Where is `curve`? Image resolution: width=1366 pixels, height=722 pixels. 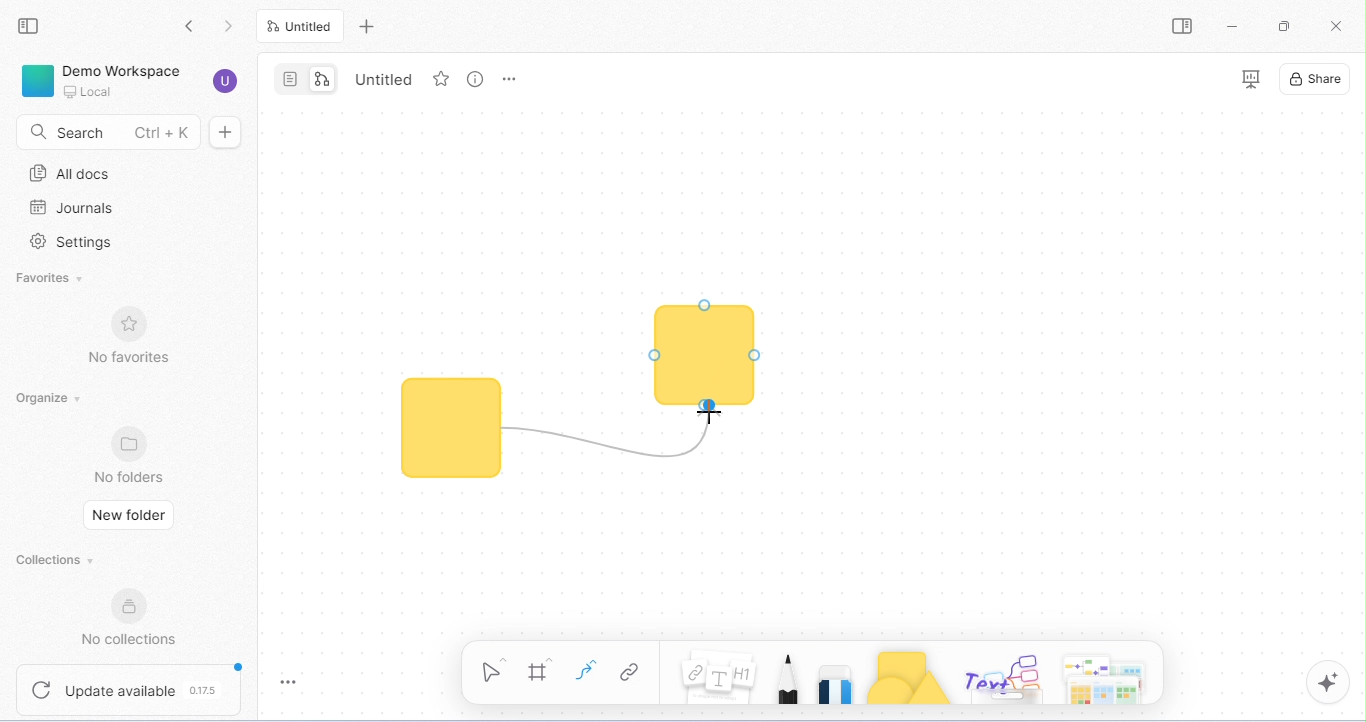
curve is located at coordinates (587, 671).